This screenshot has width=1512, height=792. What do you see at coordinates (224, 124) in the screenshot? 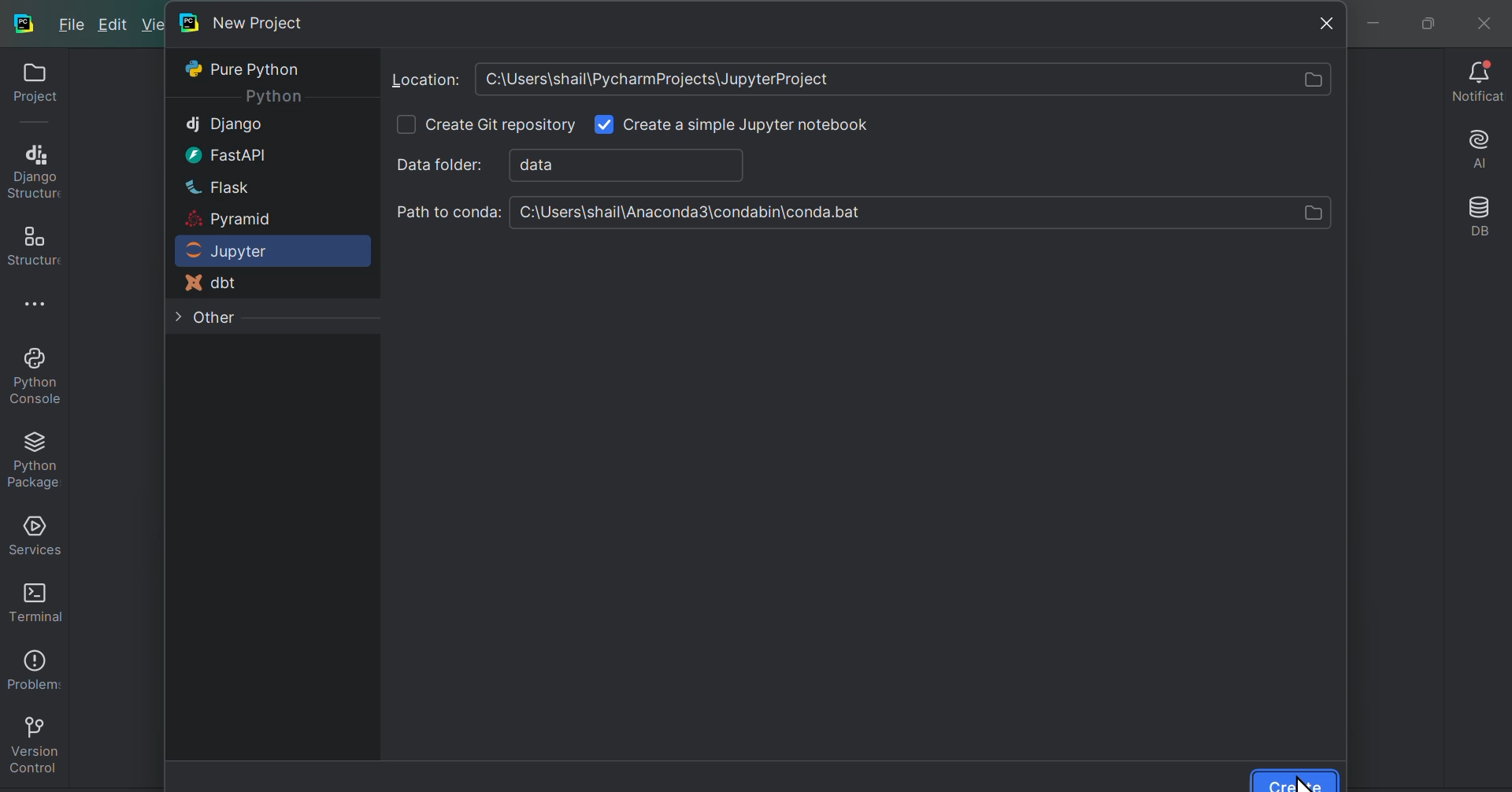
I see `Django` at bounding box center [224, 124].